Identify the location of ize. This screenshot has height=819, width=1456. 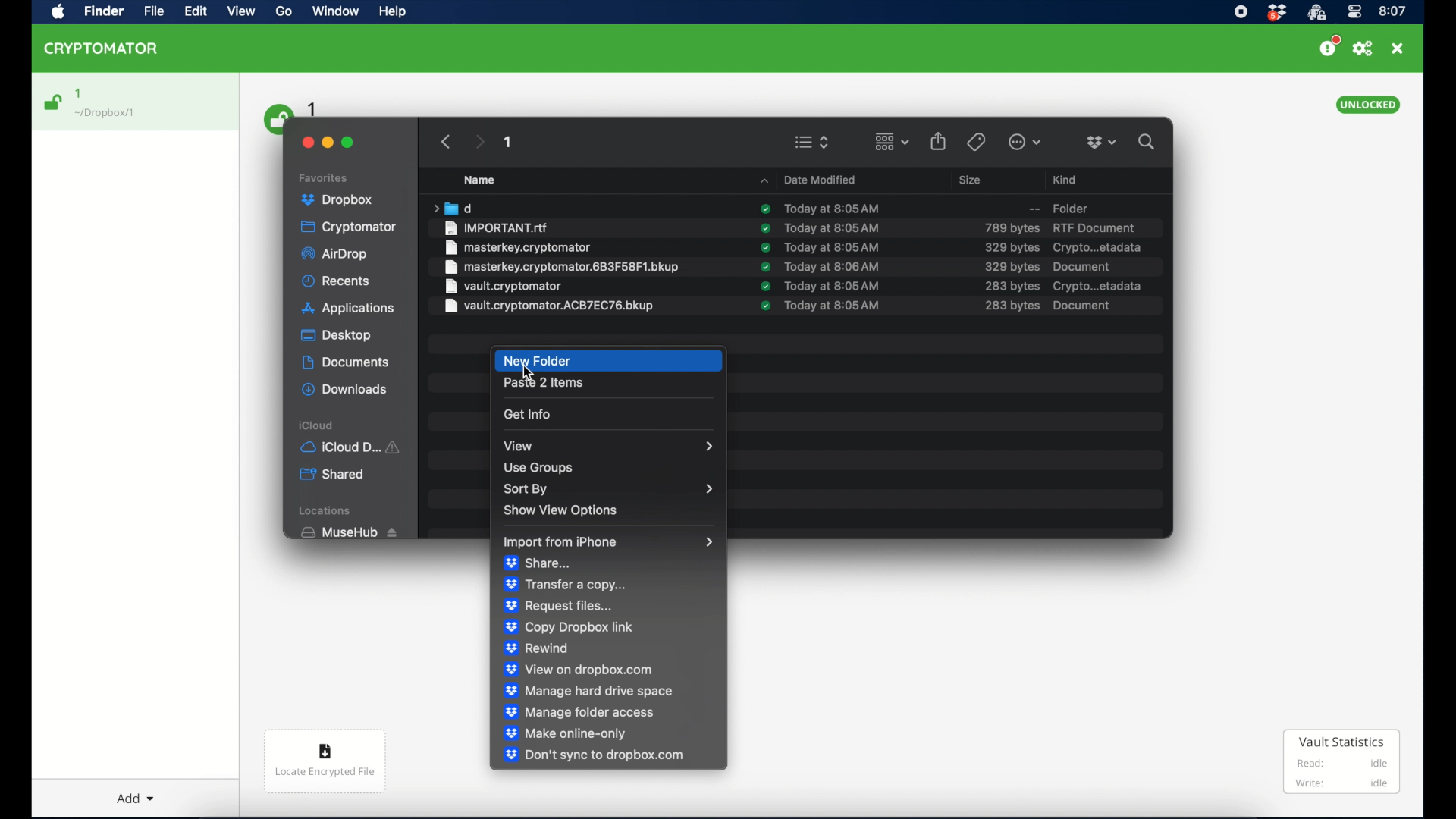
(1012, 306).